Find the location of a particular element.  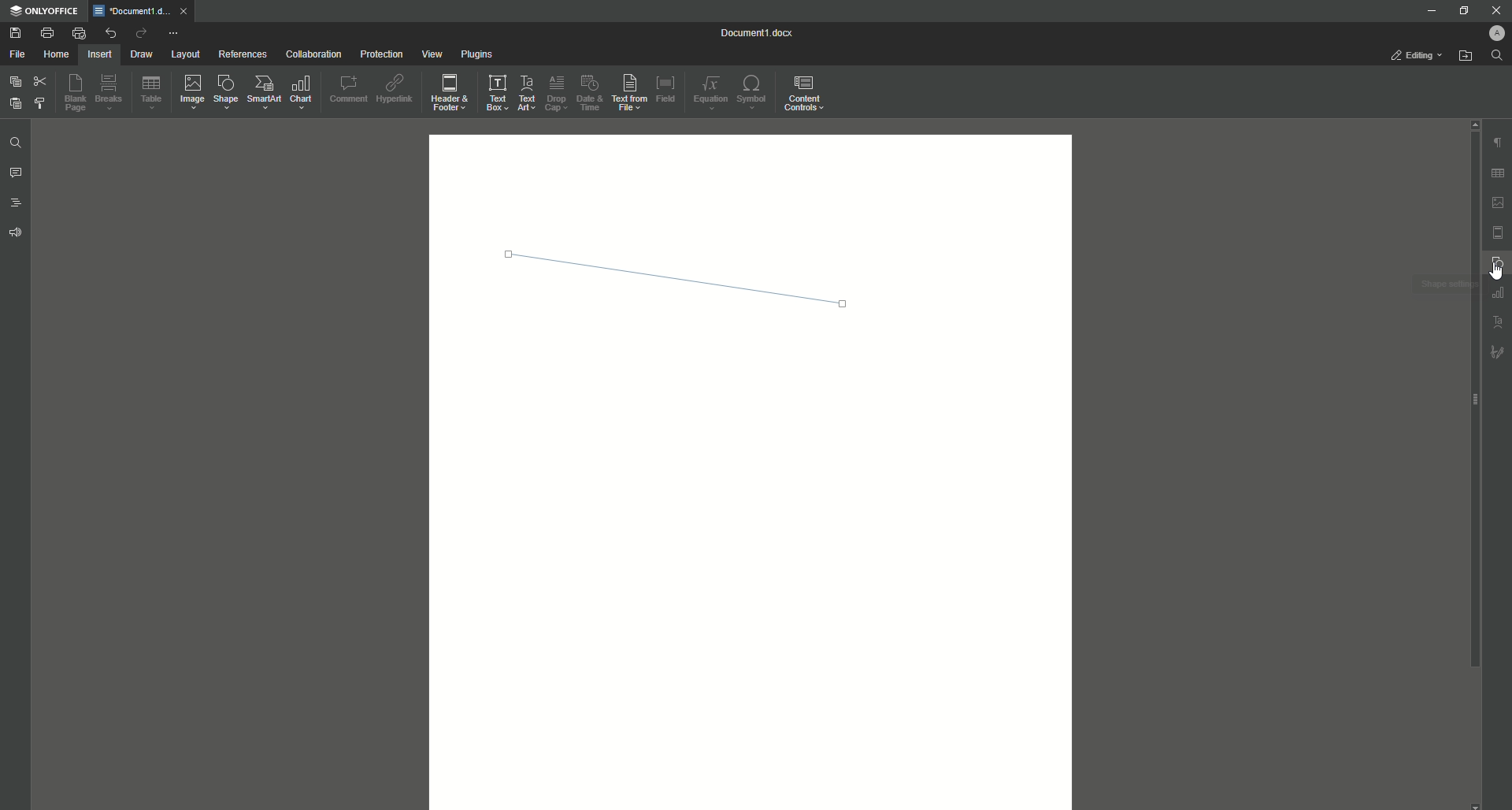

Protection is located at coordinates (380, 54).